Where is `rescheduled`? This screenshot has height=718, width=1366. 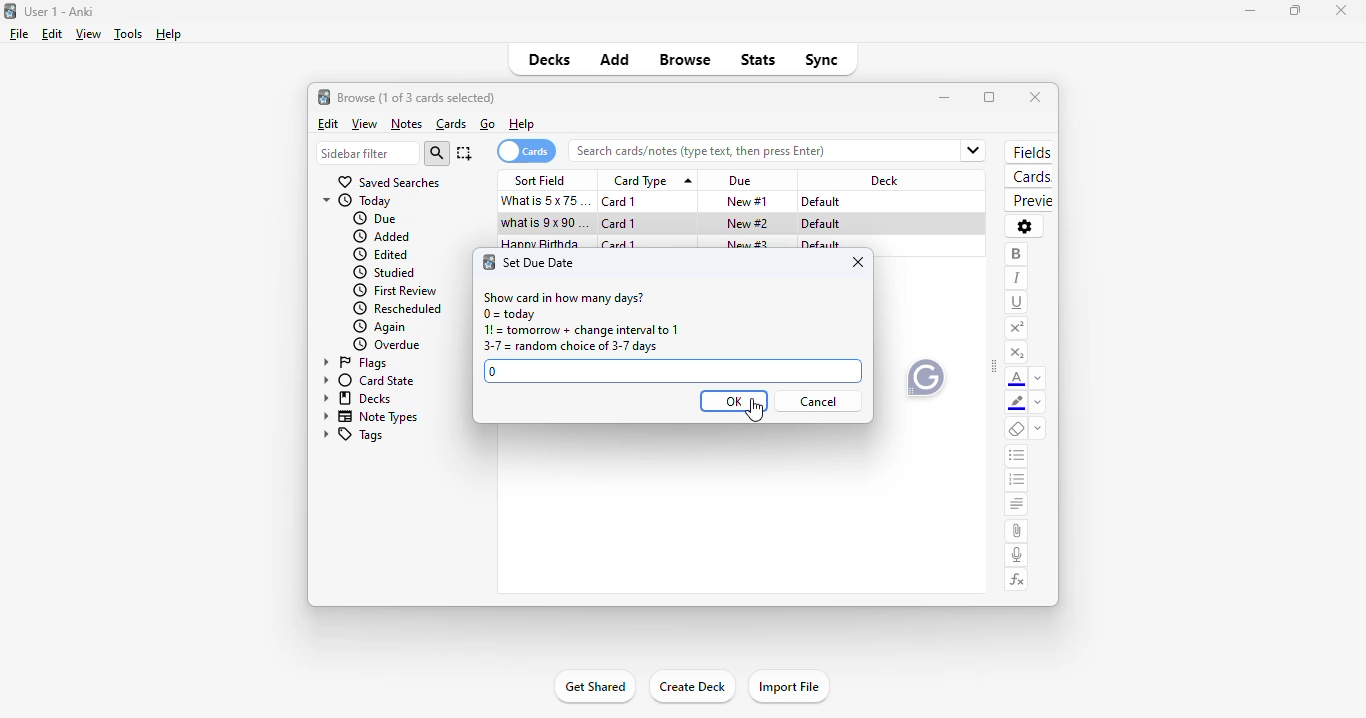
rescheduled is located at coordinates (398, 309).